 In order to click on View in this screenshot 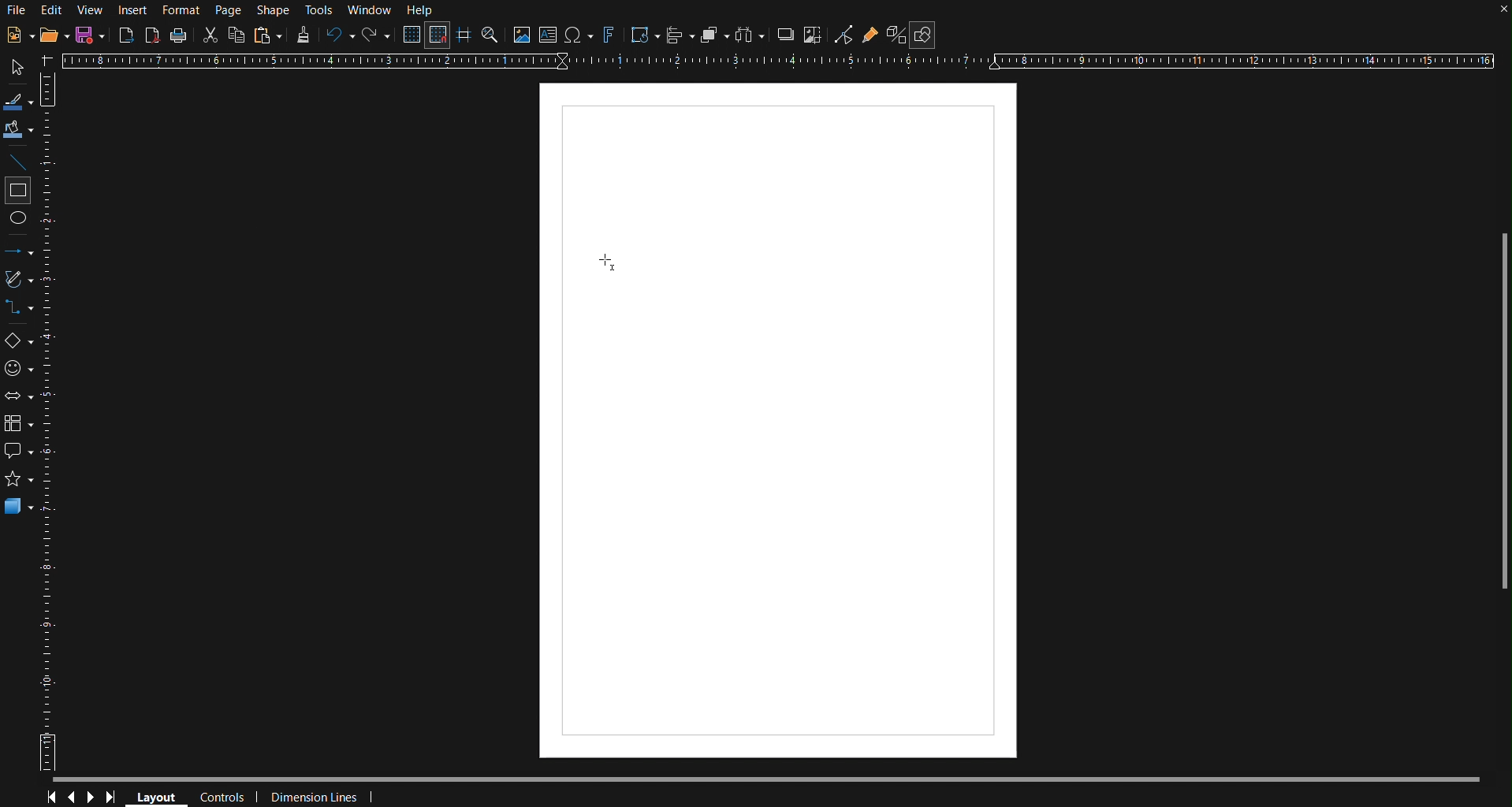, I will do `click(89, 11)`.